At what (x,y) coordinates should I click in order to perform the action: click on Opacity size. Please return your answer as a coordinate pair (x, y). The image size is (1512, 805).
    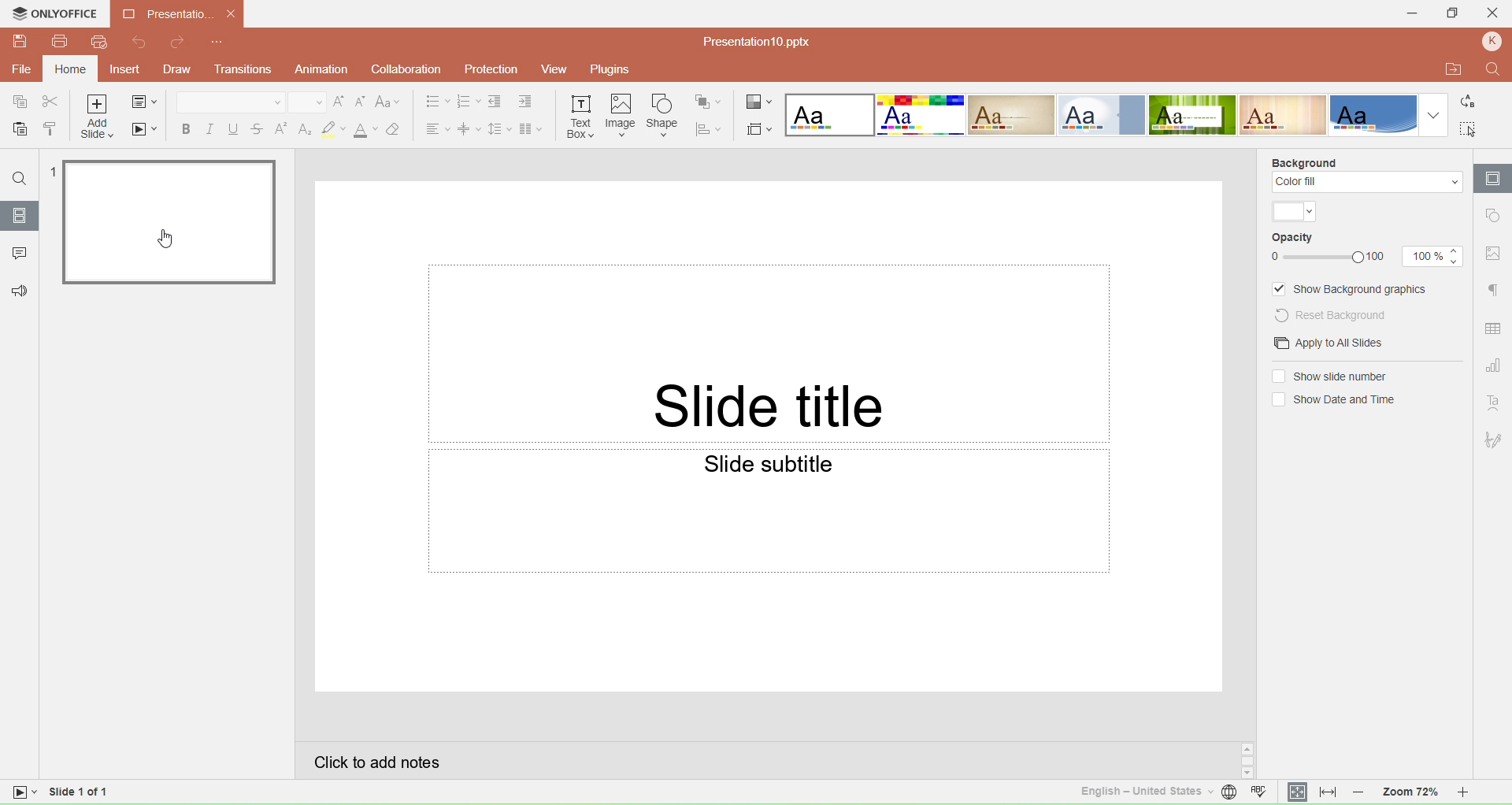
    Looking at the image, I should click on (1432, 256).